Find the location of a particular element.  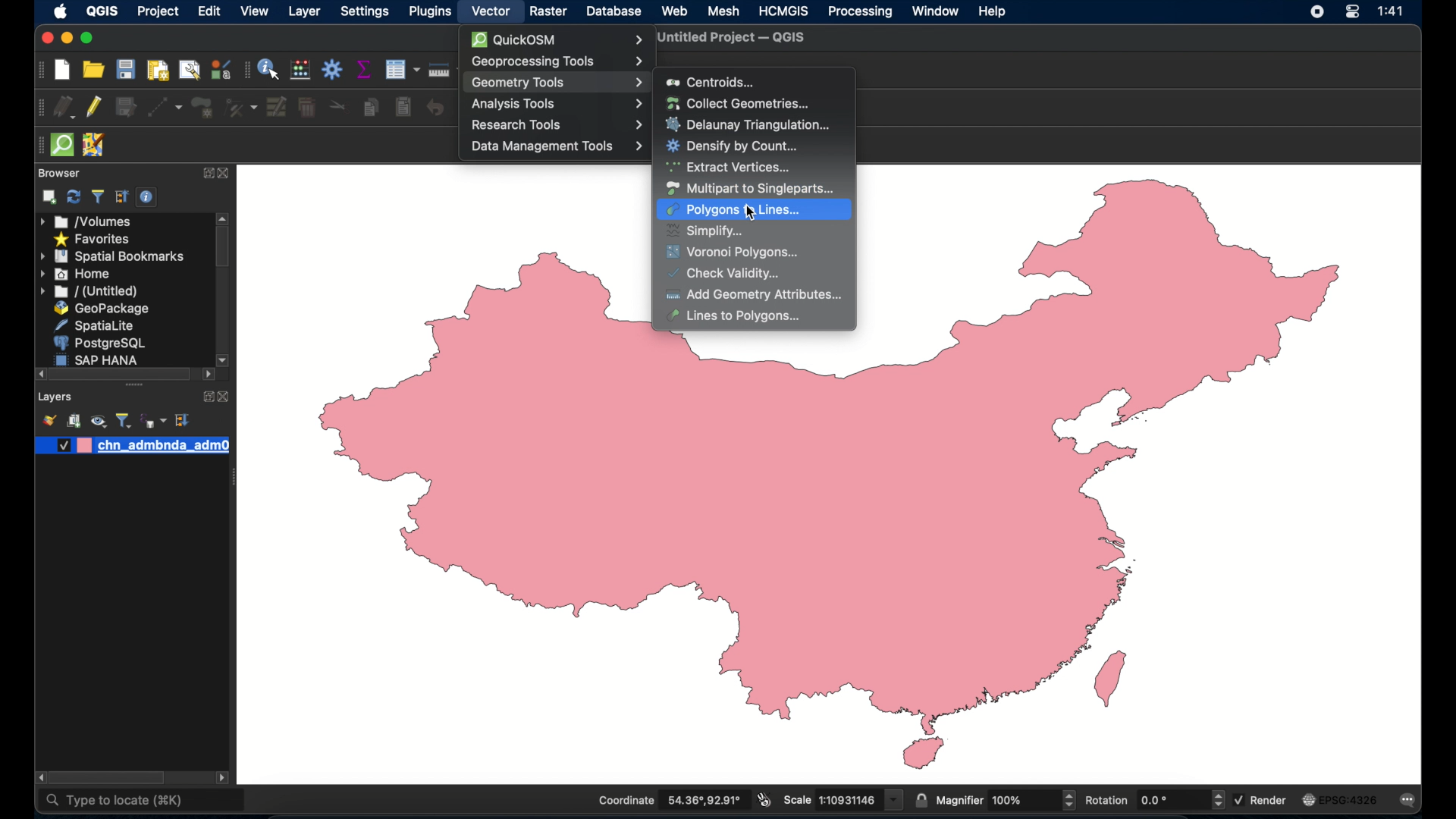

attributes toolbar is located at coordinates (245, 71).